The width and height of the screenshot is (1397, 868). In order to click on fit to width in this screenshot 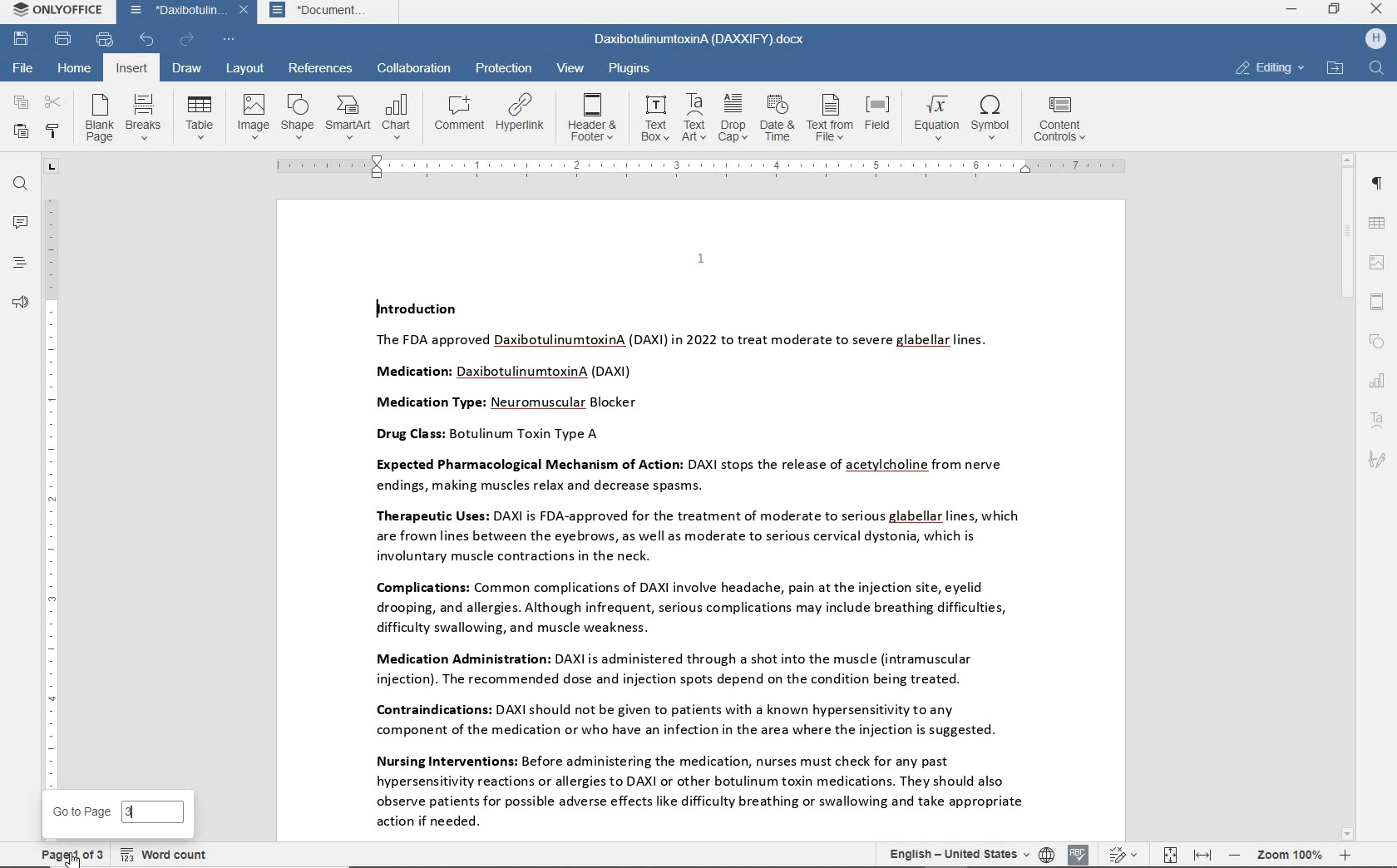, I will do `click(1202, 856)`.